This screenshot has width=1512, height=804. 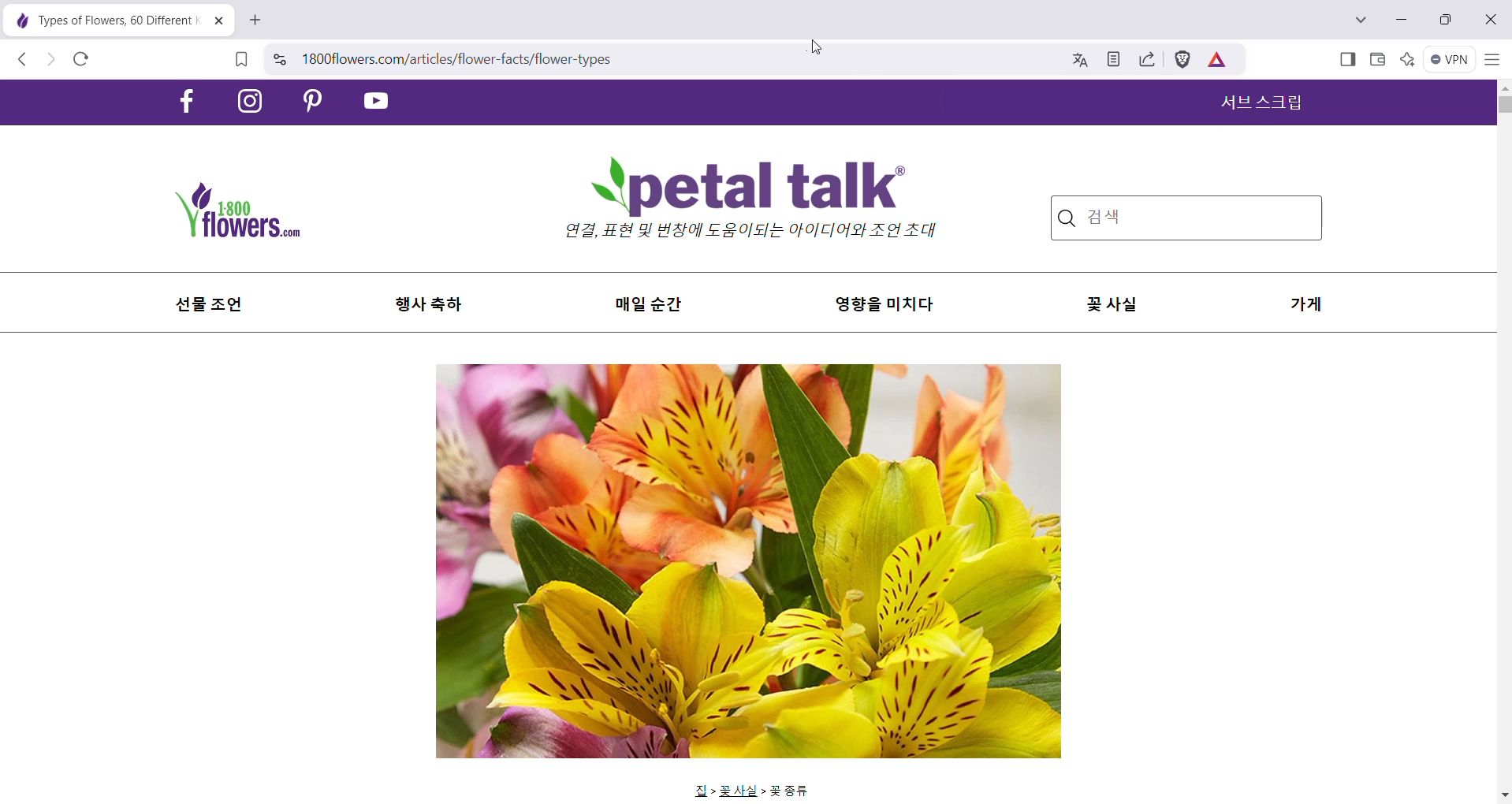 What do you see at coordinates (1376, 61) in the screenshot?
I see `Brave Wallet` at bounding box center [1376, 61].